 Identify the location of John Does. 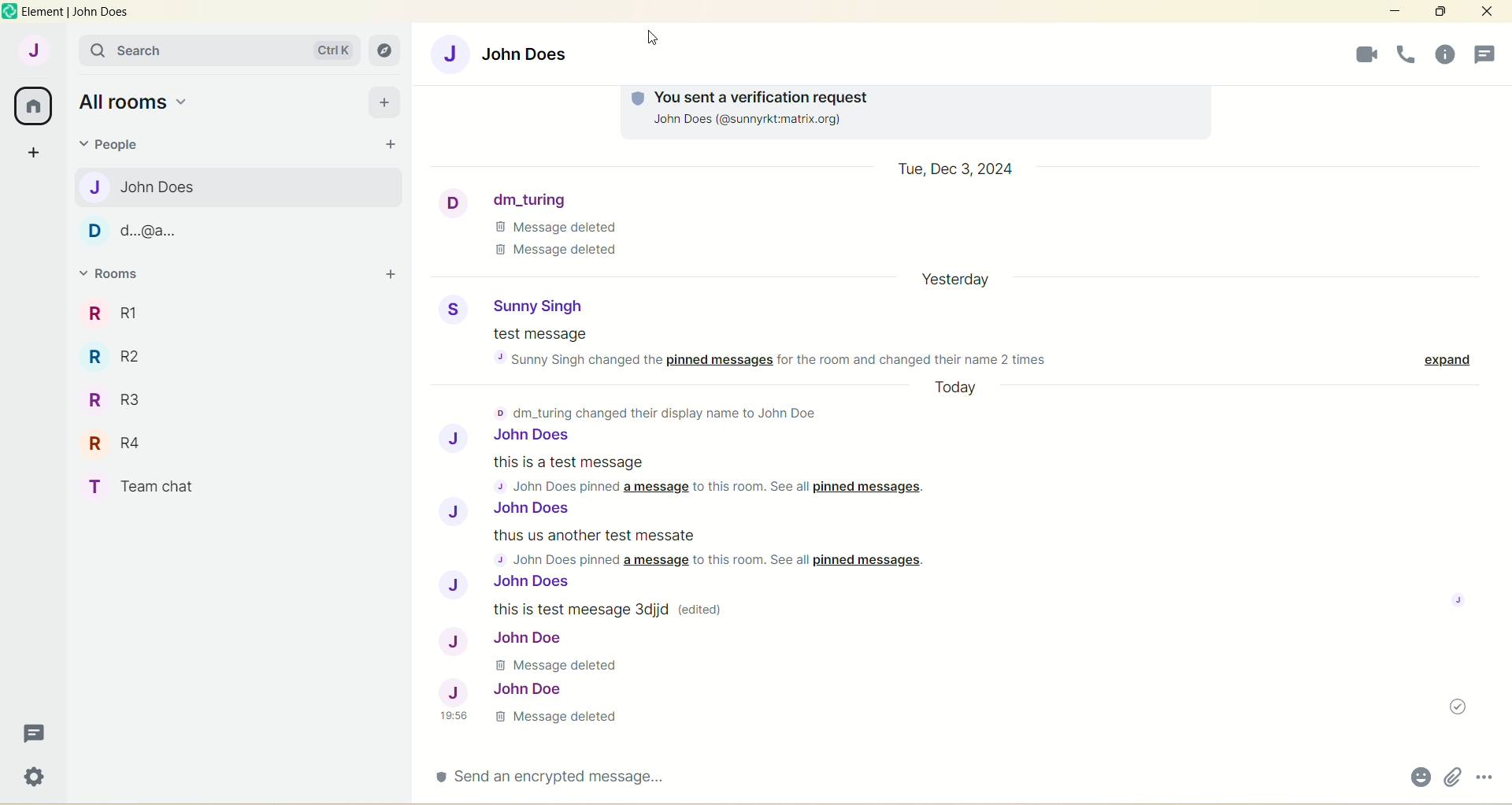
(528, 583).